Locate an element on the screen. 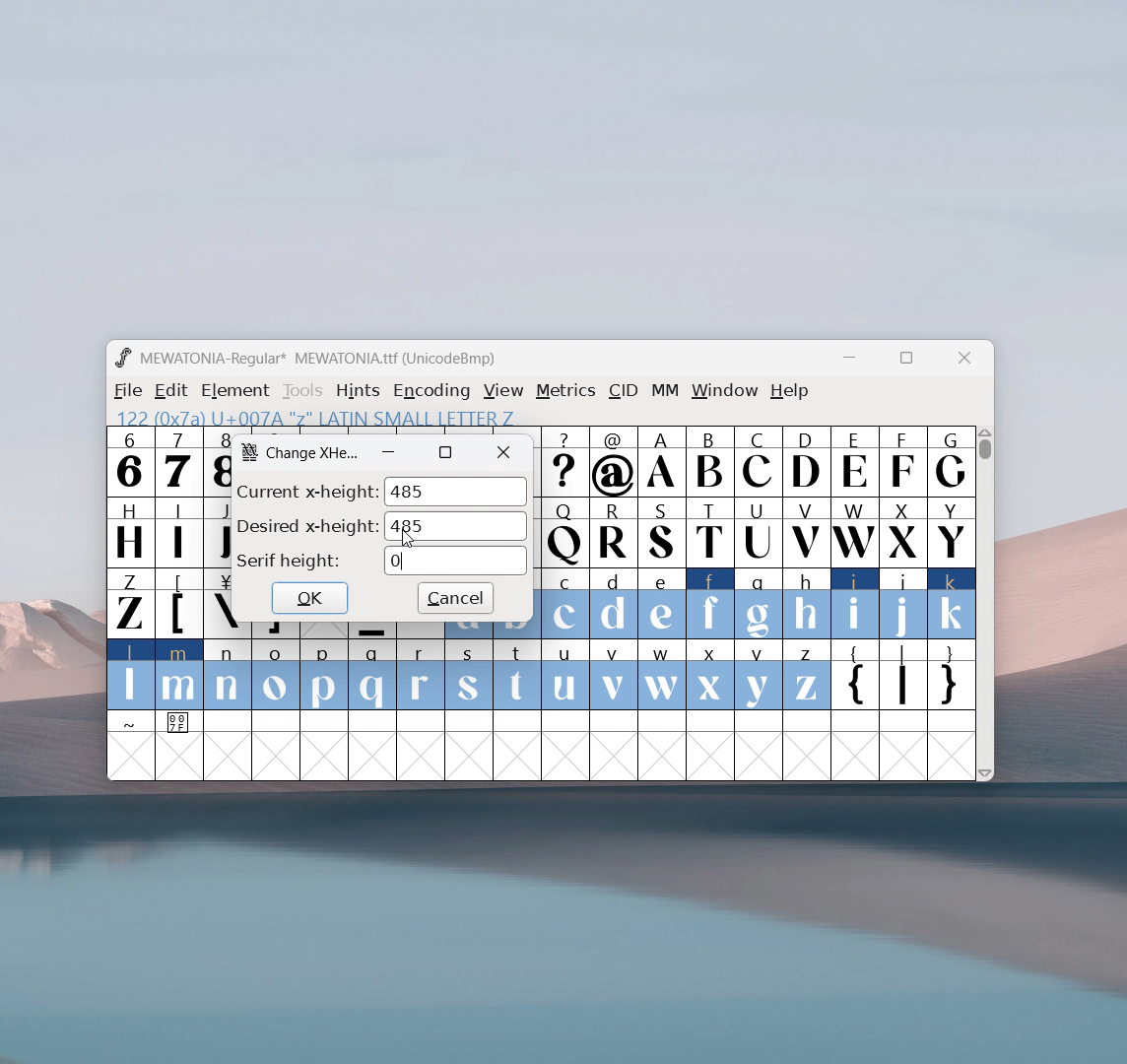 The width and height of the screenshot is (1127, 1064). z is located at coordinates (806, 675).